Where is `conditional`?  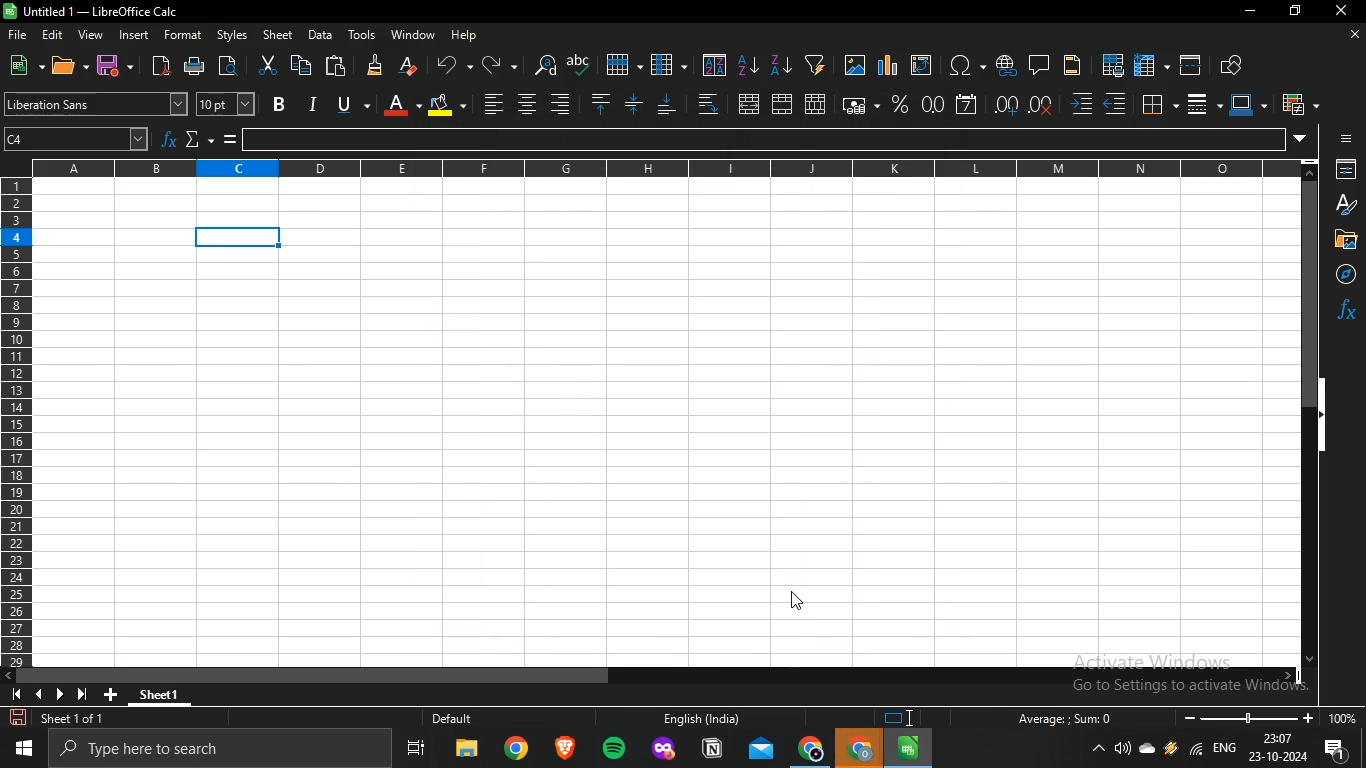 conditional is located at coordinates (1296, 104).